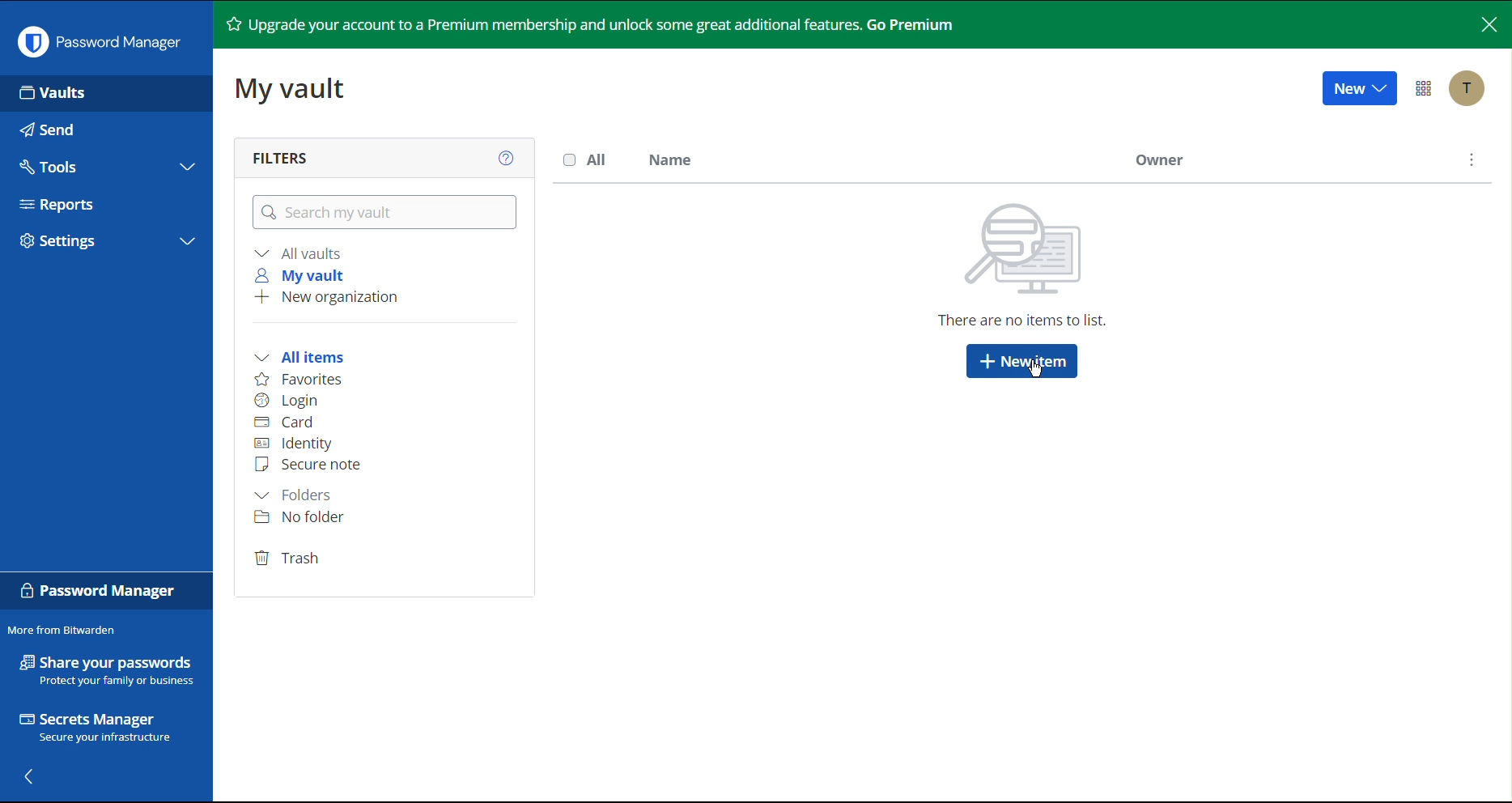  What do you see at coordinates (1159, 159) in the screenshot?
I see `Owner` at bounding box center [1159, 159].